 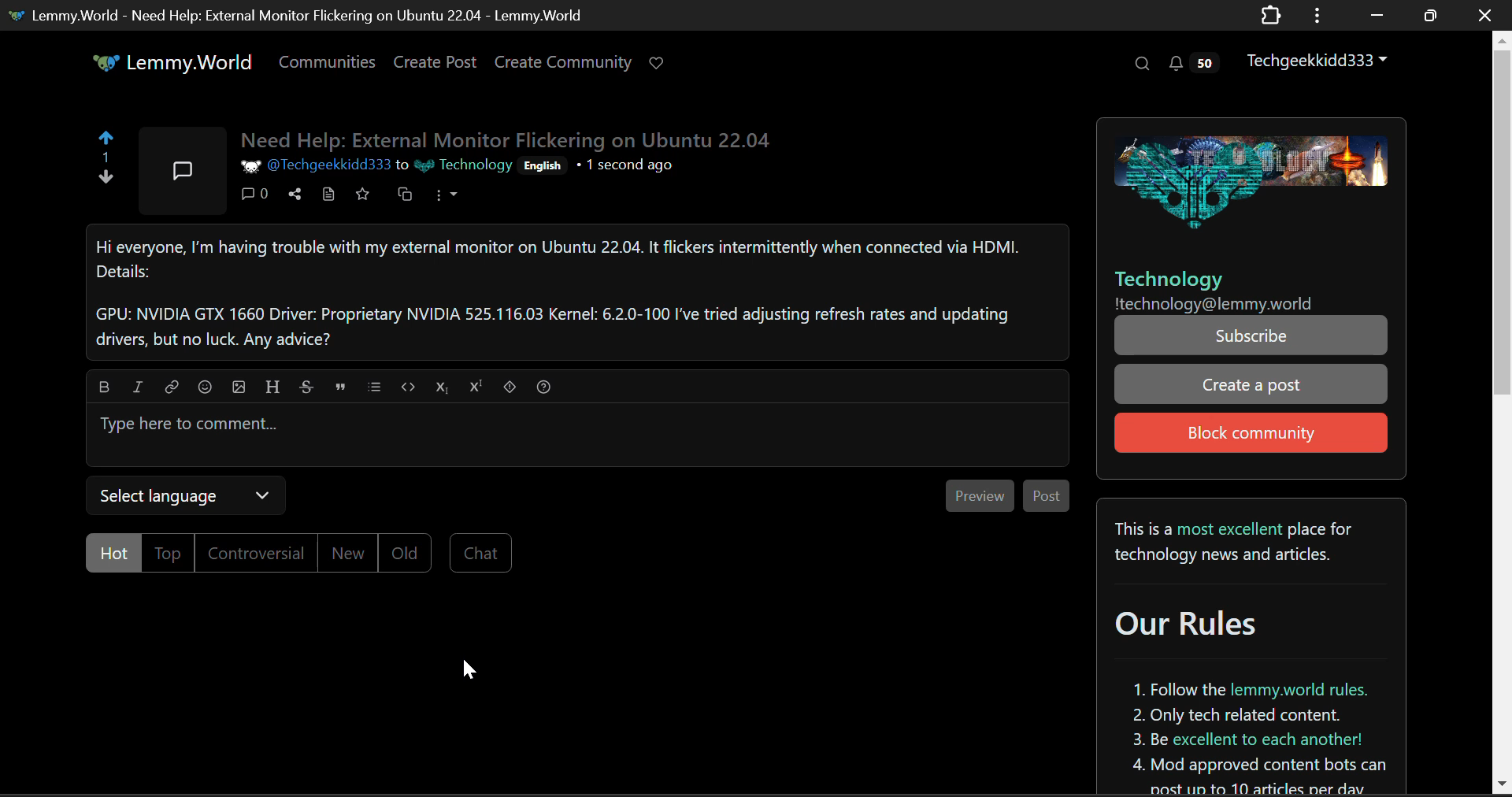 I want to click on Cross-post, so click(x=403, y=196).